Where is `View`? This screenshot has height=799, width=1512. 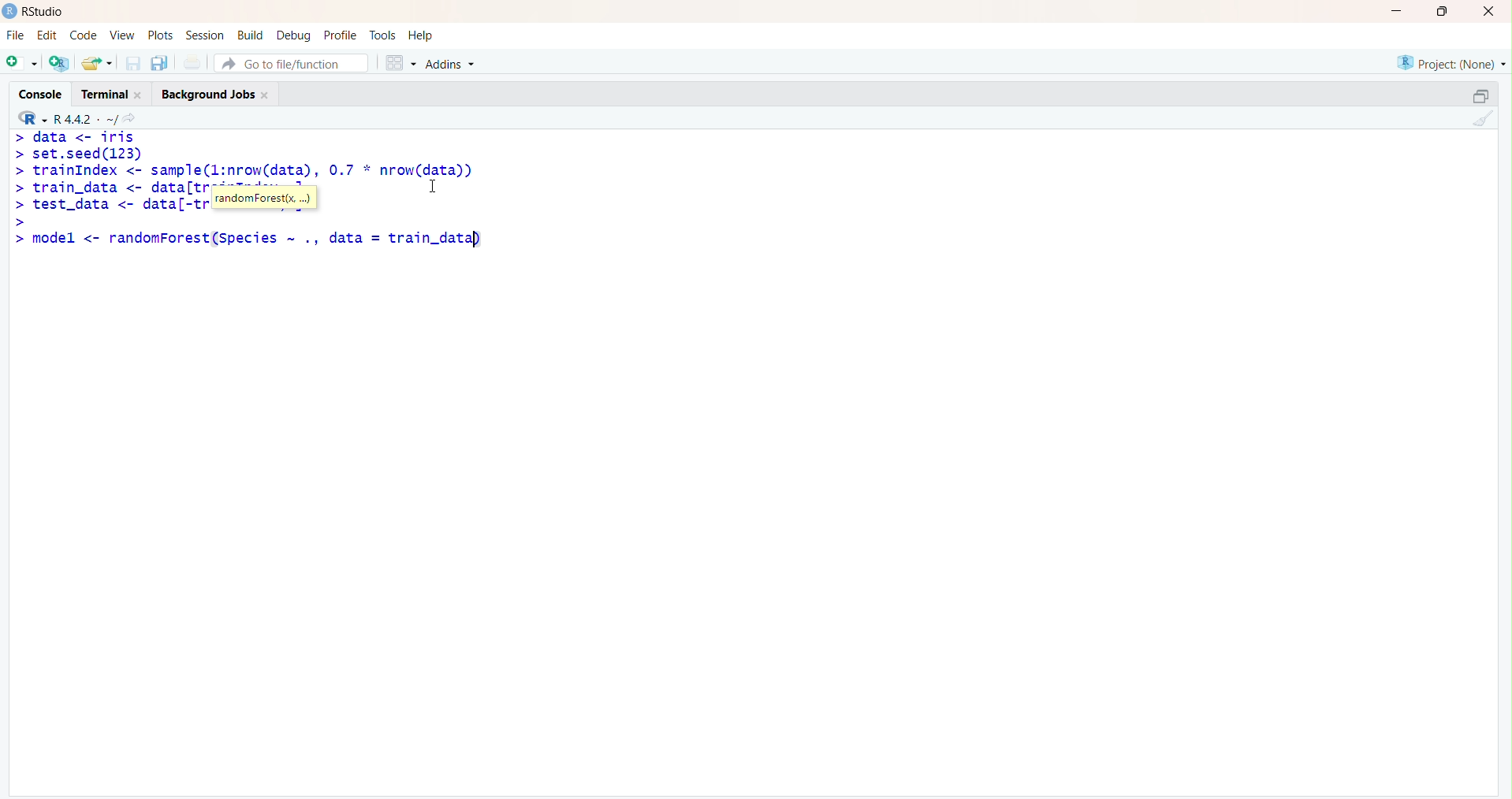 View is located at coordinates (121, 35).